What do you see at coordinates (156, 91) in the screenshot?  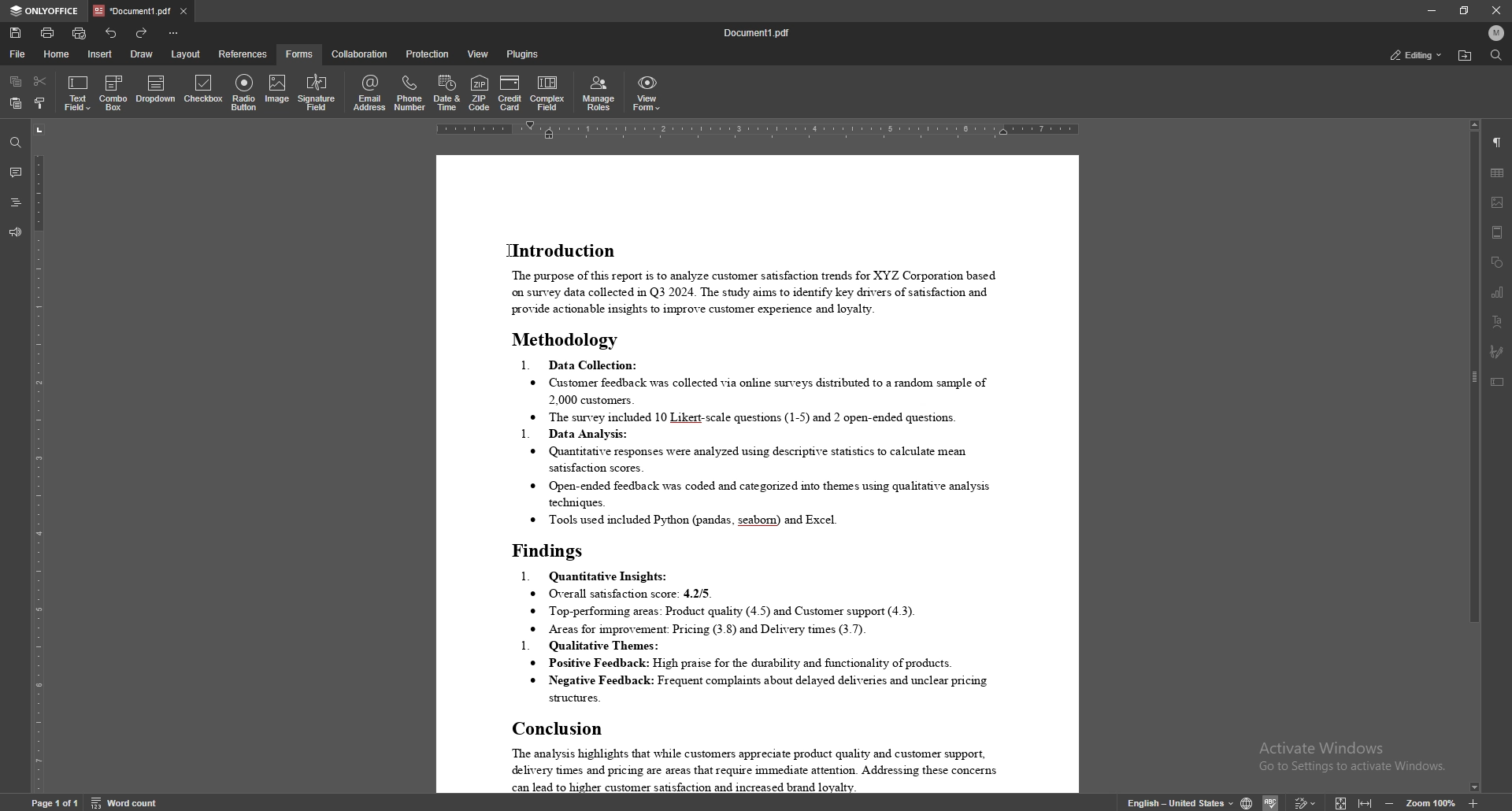 I see `dropdown` at bounding box center [156, 91].